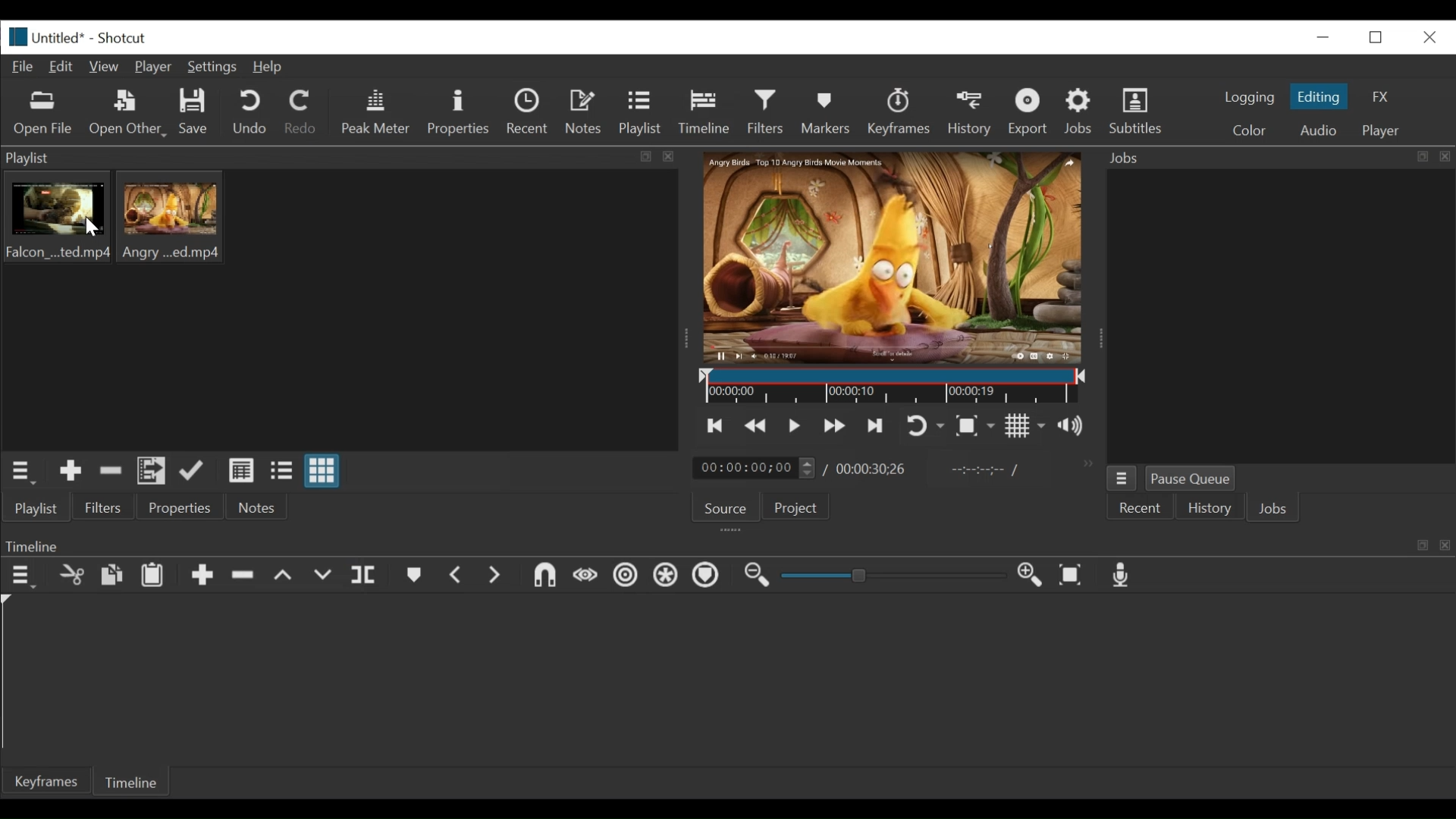  Describe the element at coordinates (726, 545) in the screenshot. I see `Timeline Panel` at that location.